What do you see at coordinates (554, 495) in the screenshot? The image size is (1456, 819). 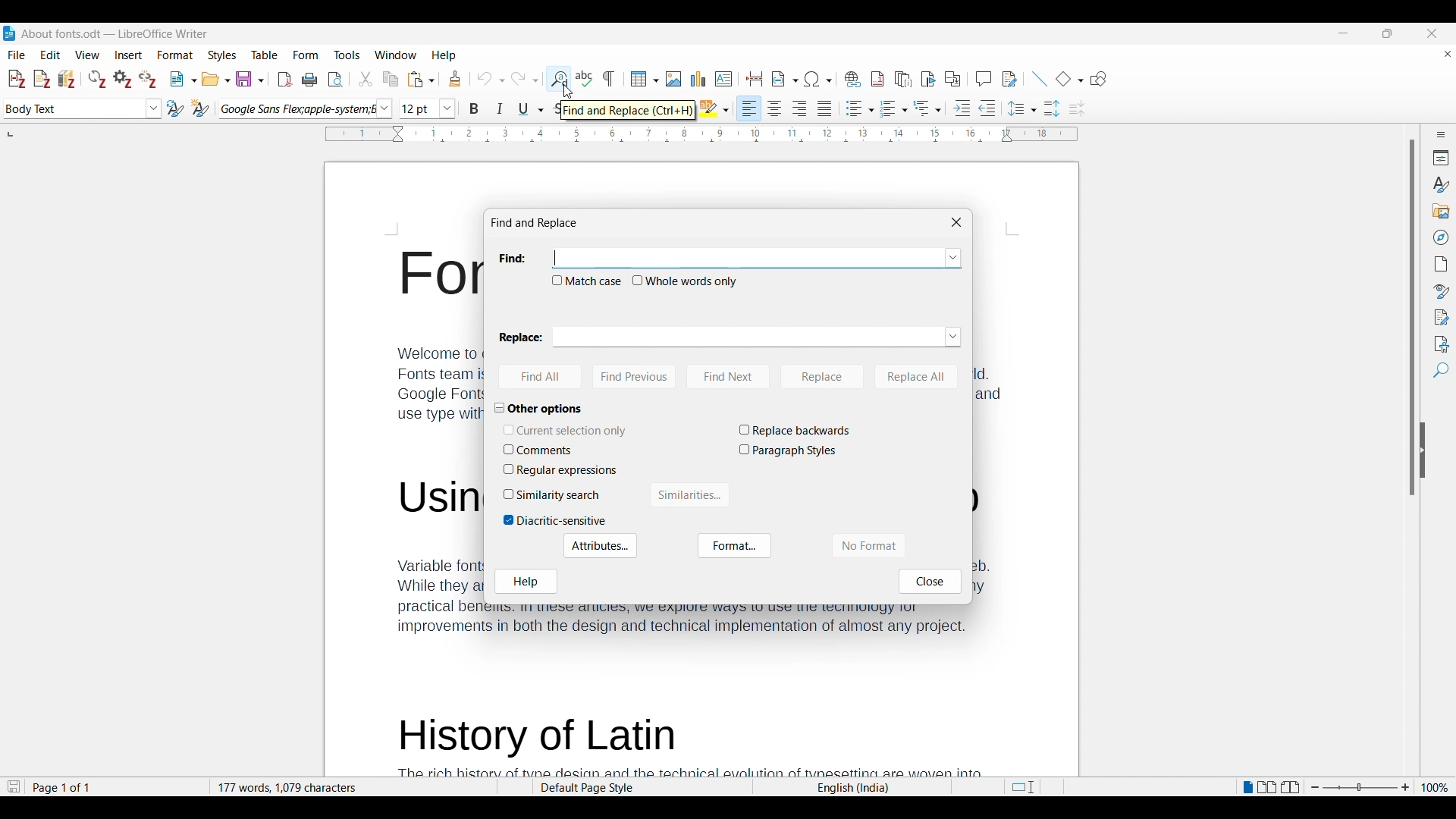 I see `Toggle for Similarity search` at bounding box center [554, 495].